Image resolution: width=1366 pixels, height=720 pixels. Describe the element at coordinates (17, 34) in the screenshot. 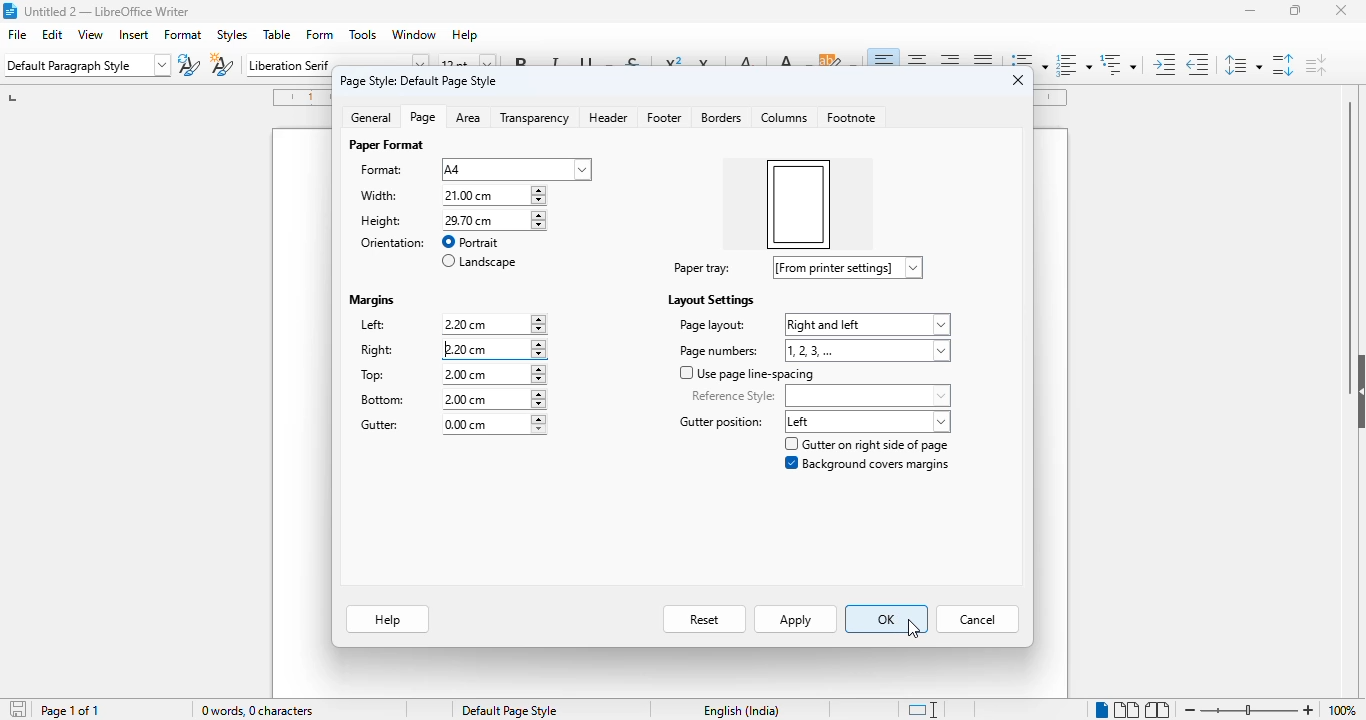

I see `file` at that location.